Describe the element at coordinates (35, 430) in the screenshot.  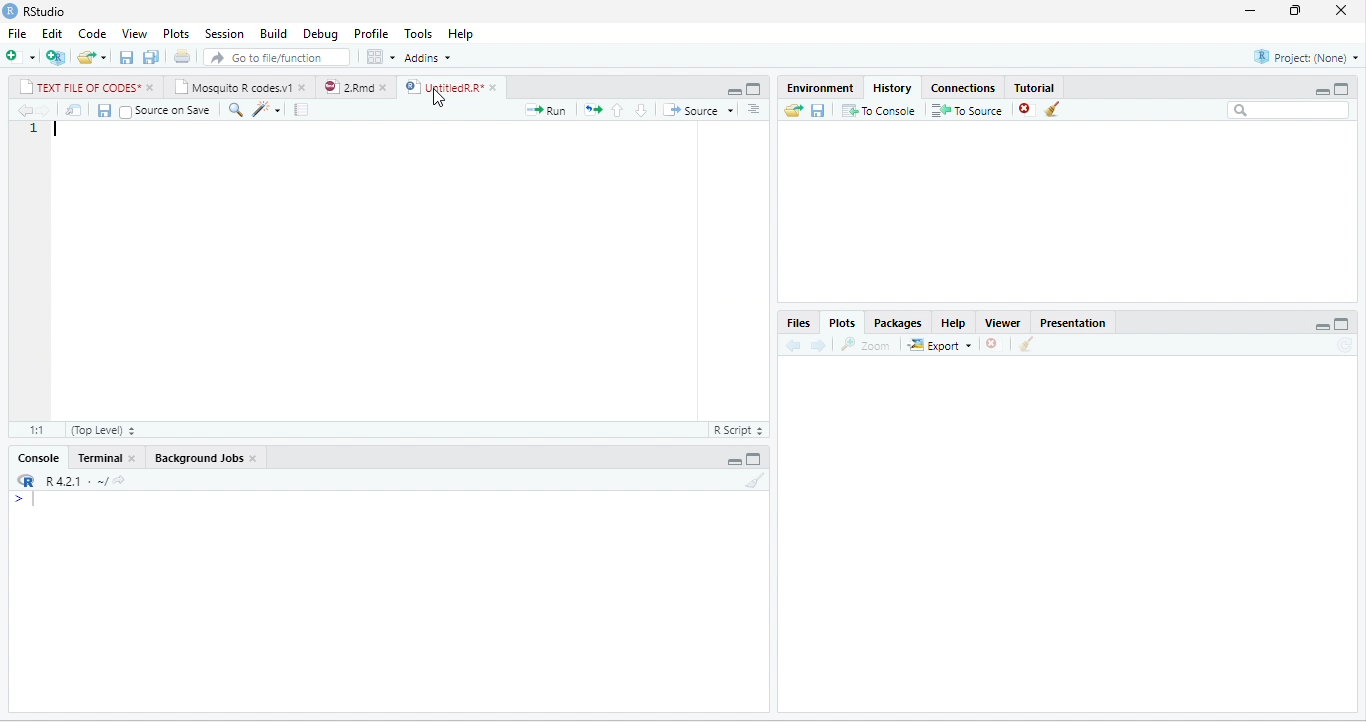
I see `1:1` at that location.